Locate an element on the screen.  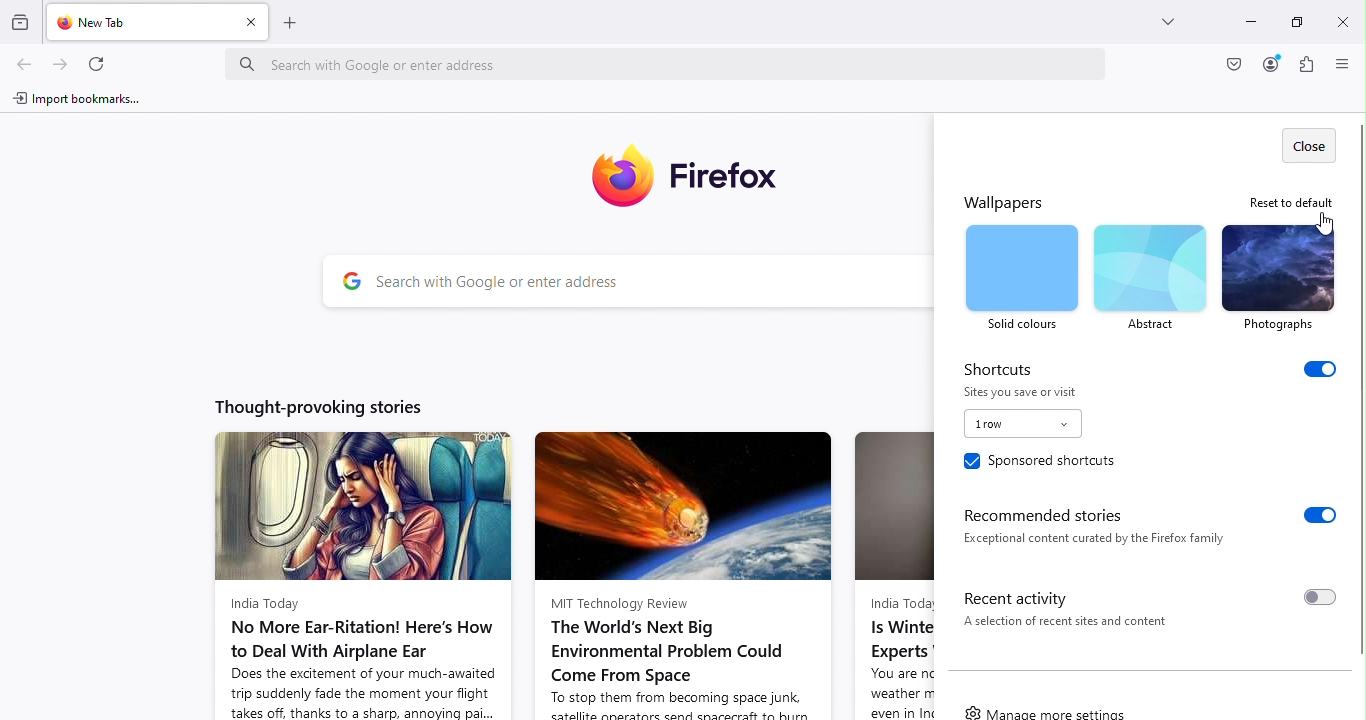
Recommended stories is located at coordinates (1141, 526).